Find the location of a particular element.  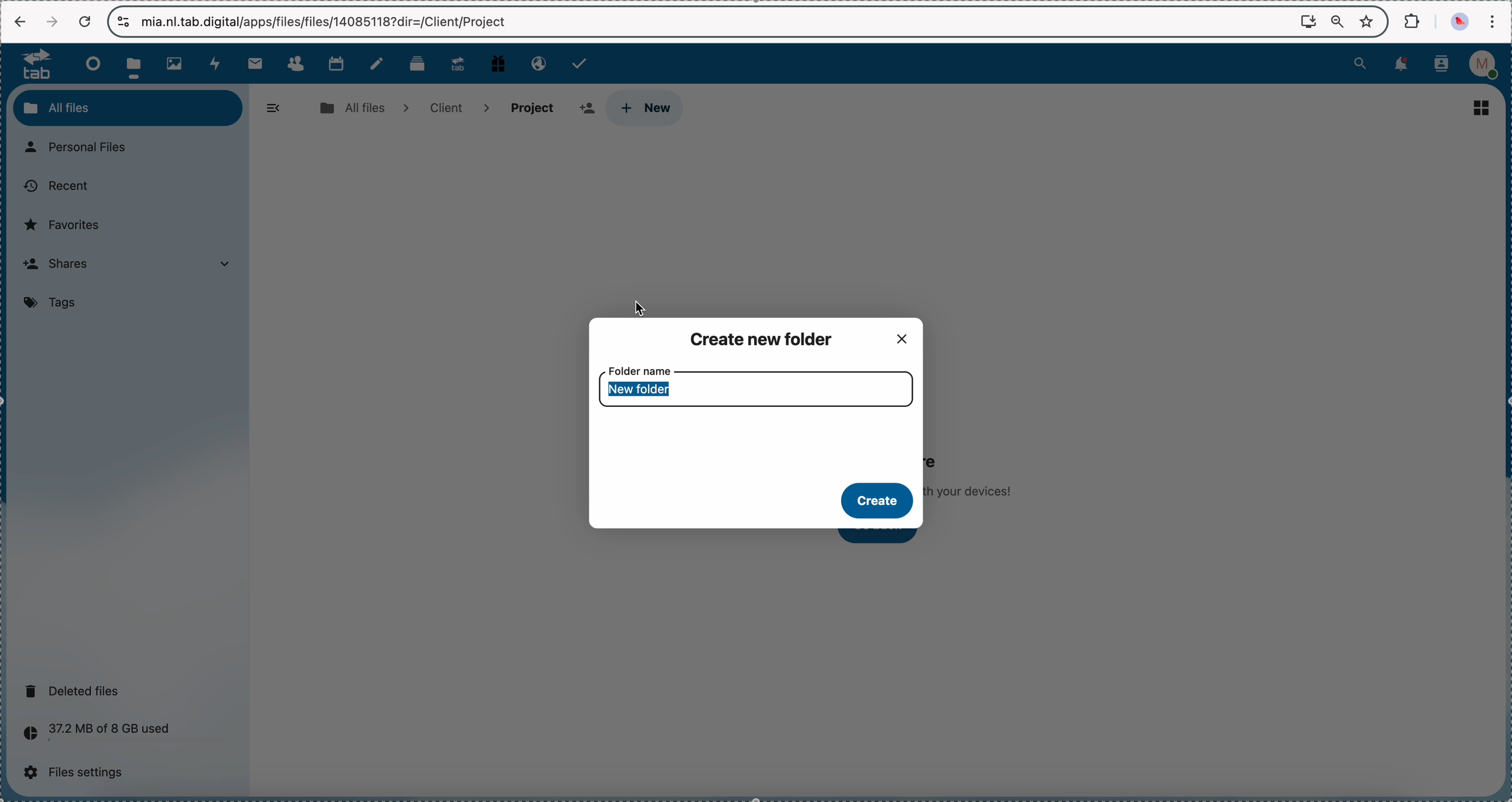

new folder is located at coordinates (638, 390).